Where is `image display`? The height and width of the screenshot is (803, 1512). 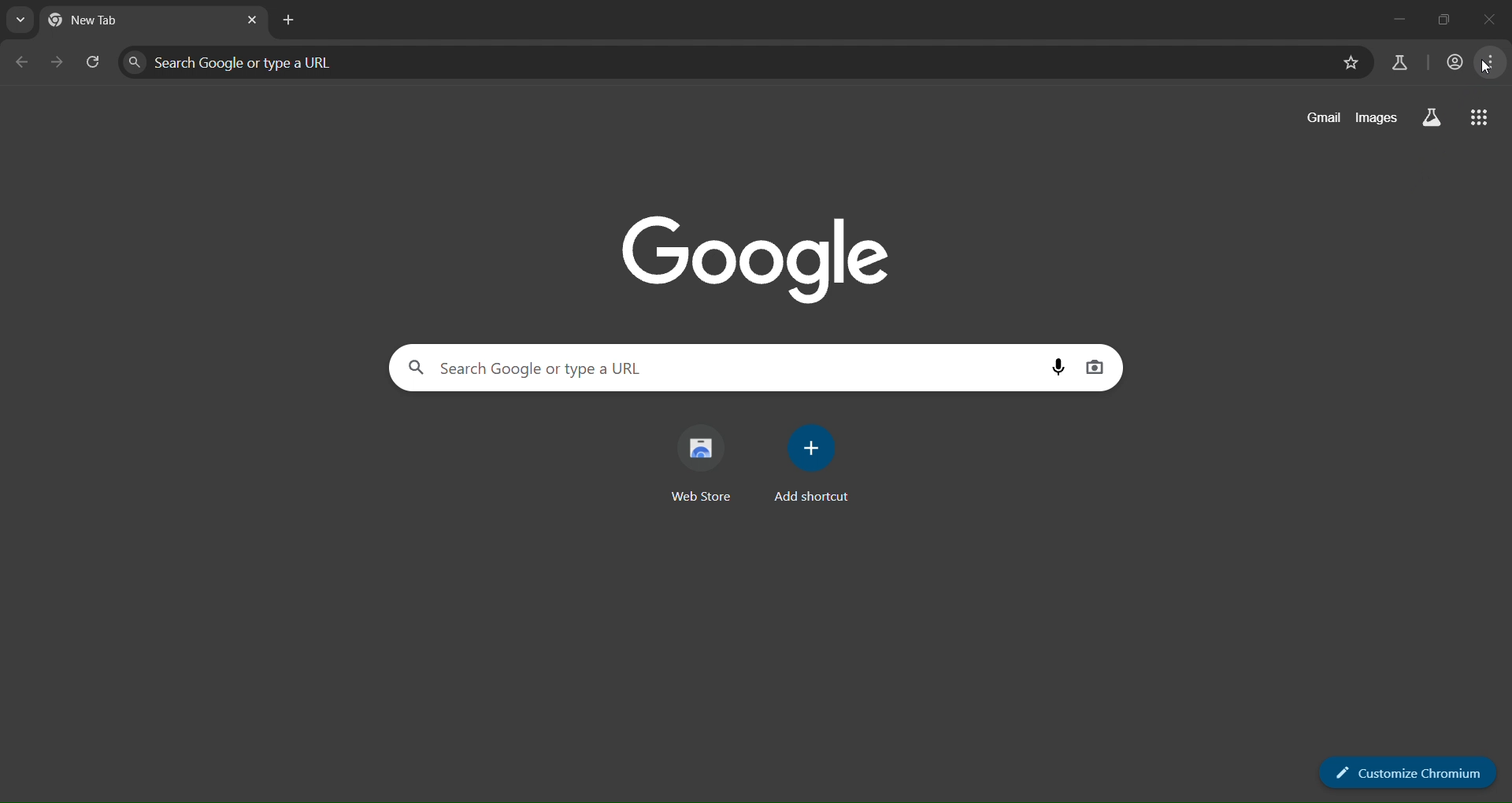
image display is located at coordinates (1096, 368).